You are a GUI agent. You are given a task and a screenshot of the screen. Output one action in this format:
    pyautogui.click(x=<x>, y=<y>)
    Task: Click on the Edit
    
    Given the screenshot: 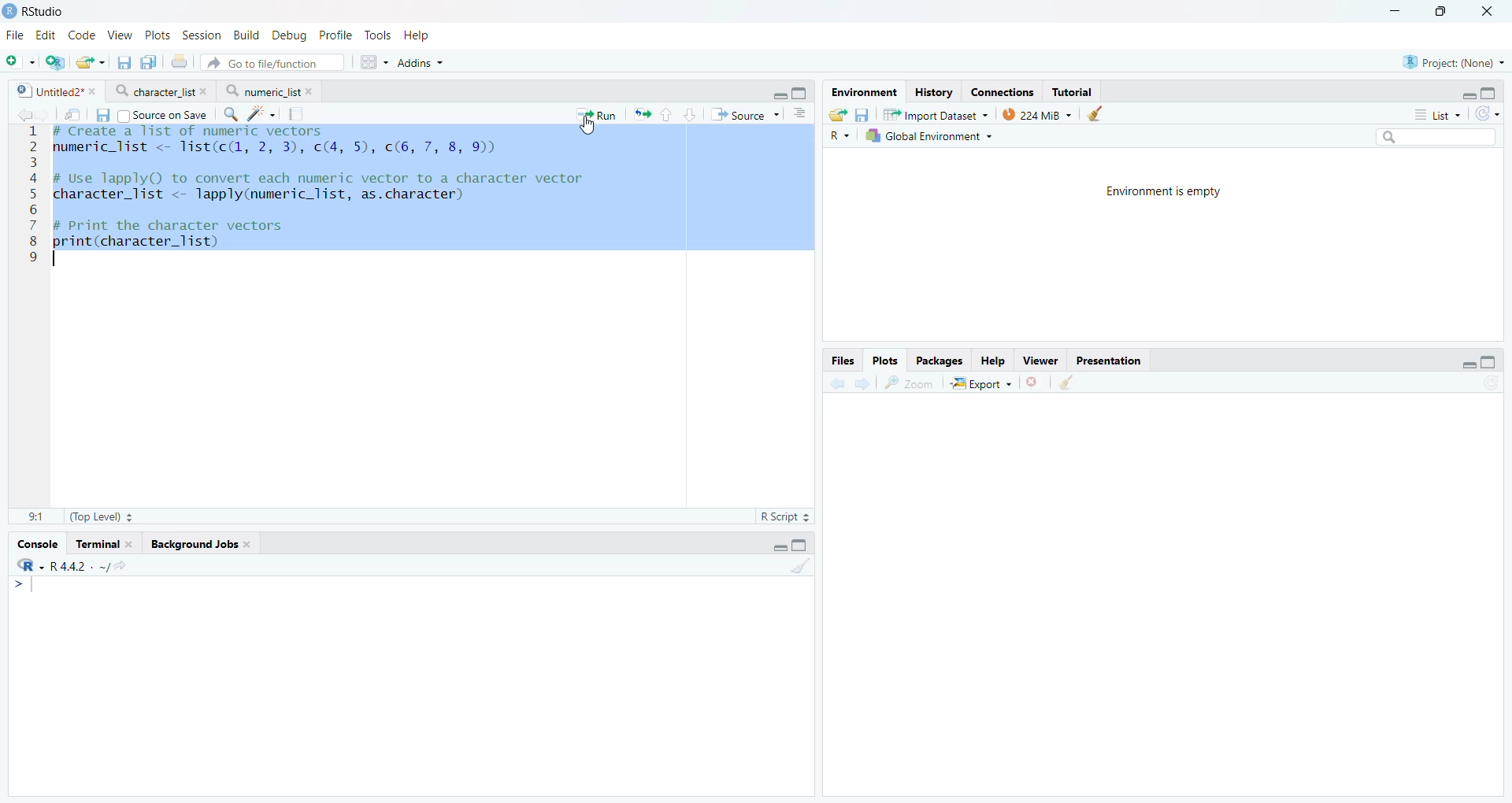 What is the action you would take?
    pyautogui.click(x=46, y=34)
    